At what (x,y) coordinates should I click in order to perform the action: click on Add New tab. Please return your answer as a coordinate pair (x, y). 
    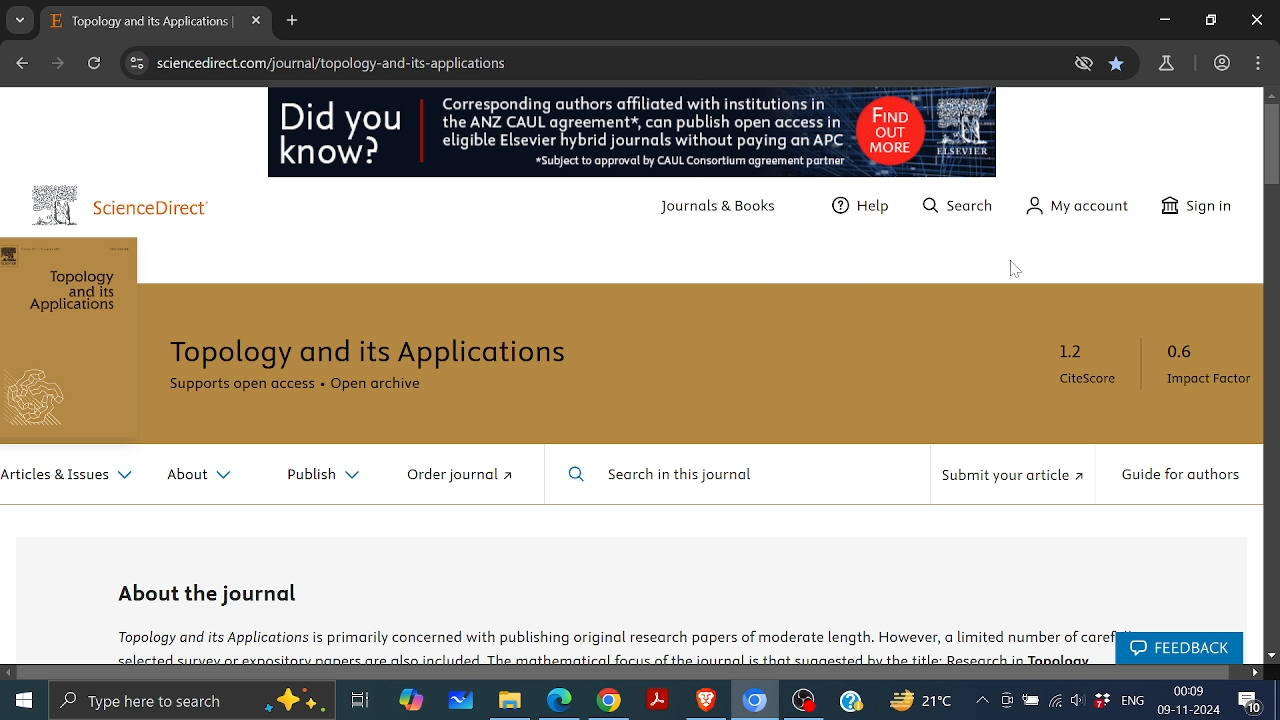
    Looking at the image, I should click on (293, 22).